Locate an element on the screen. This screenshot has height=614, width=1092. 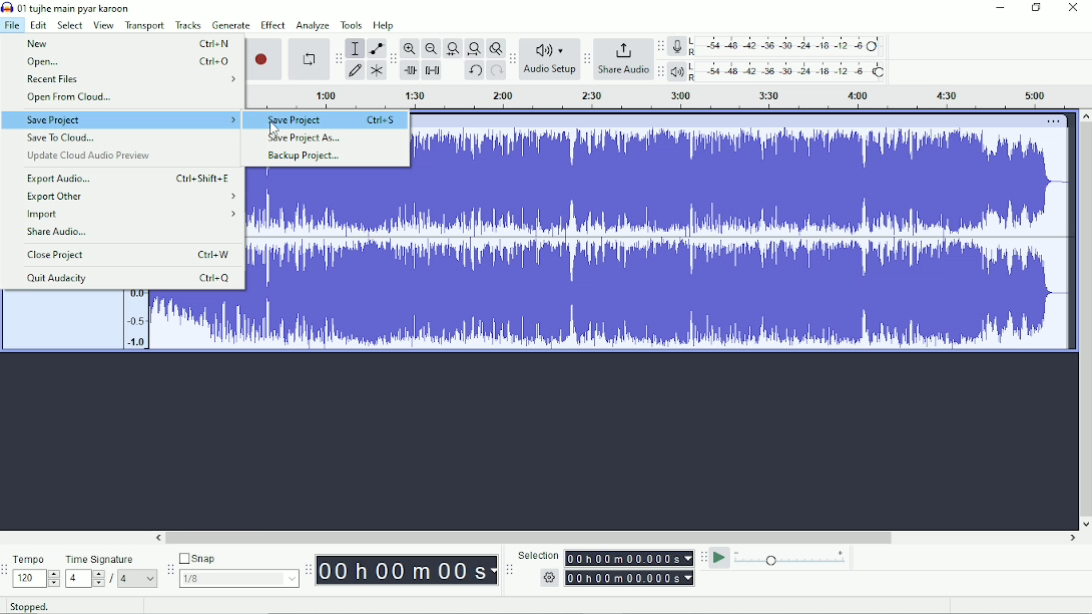
Cursor is located at coordinates (274, 130).